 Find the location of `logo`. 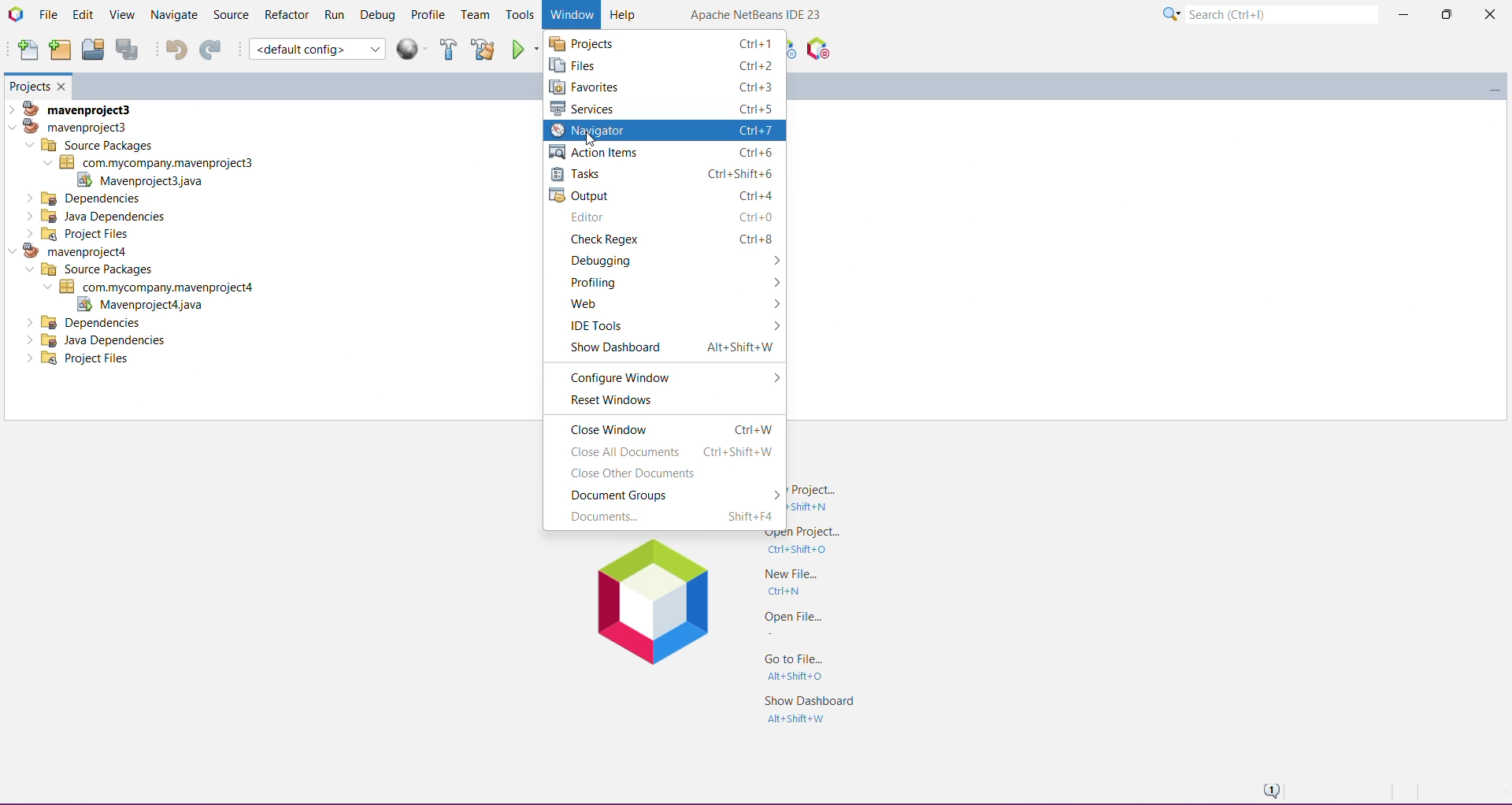

logo is located at coordinates (653, 603).